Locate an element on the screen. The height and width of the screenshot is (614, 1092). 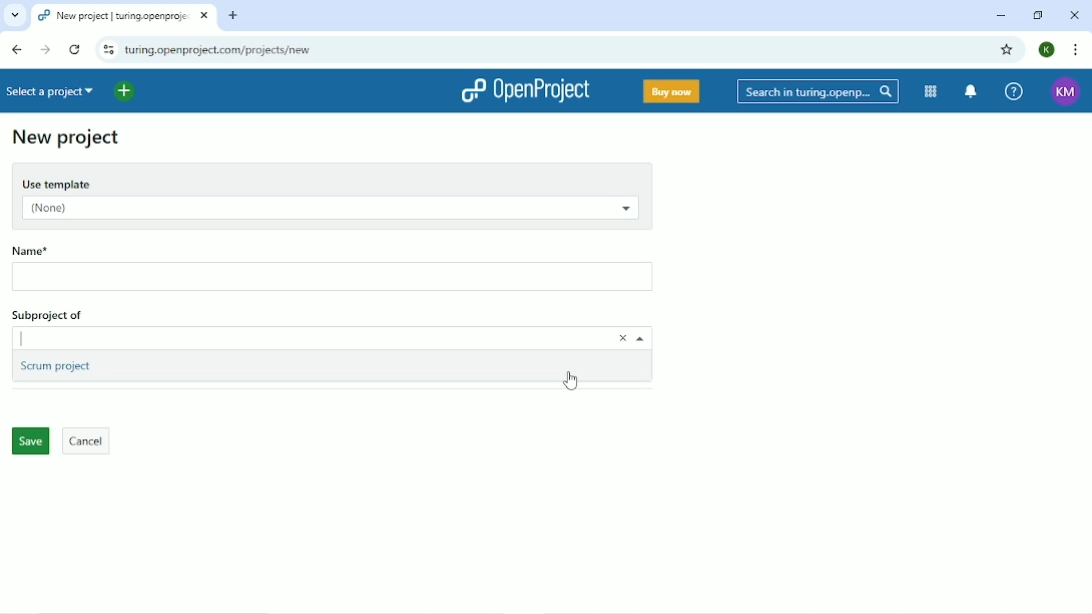
Modules is located at coordinates (932, 92).